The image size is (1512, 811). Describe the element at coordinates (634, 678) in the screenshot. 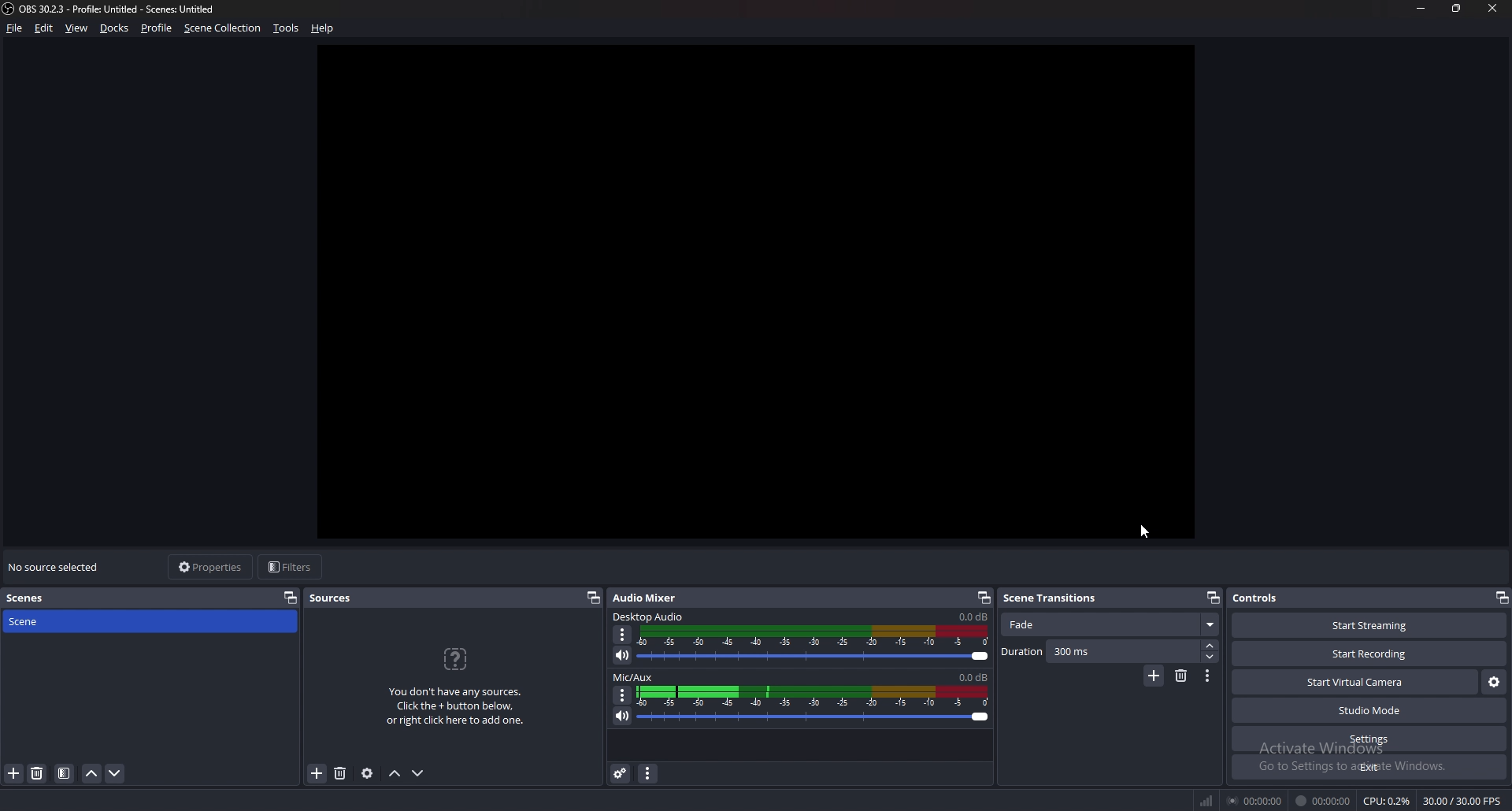

I see `mic/aux` at that location.